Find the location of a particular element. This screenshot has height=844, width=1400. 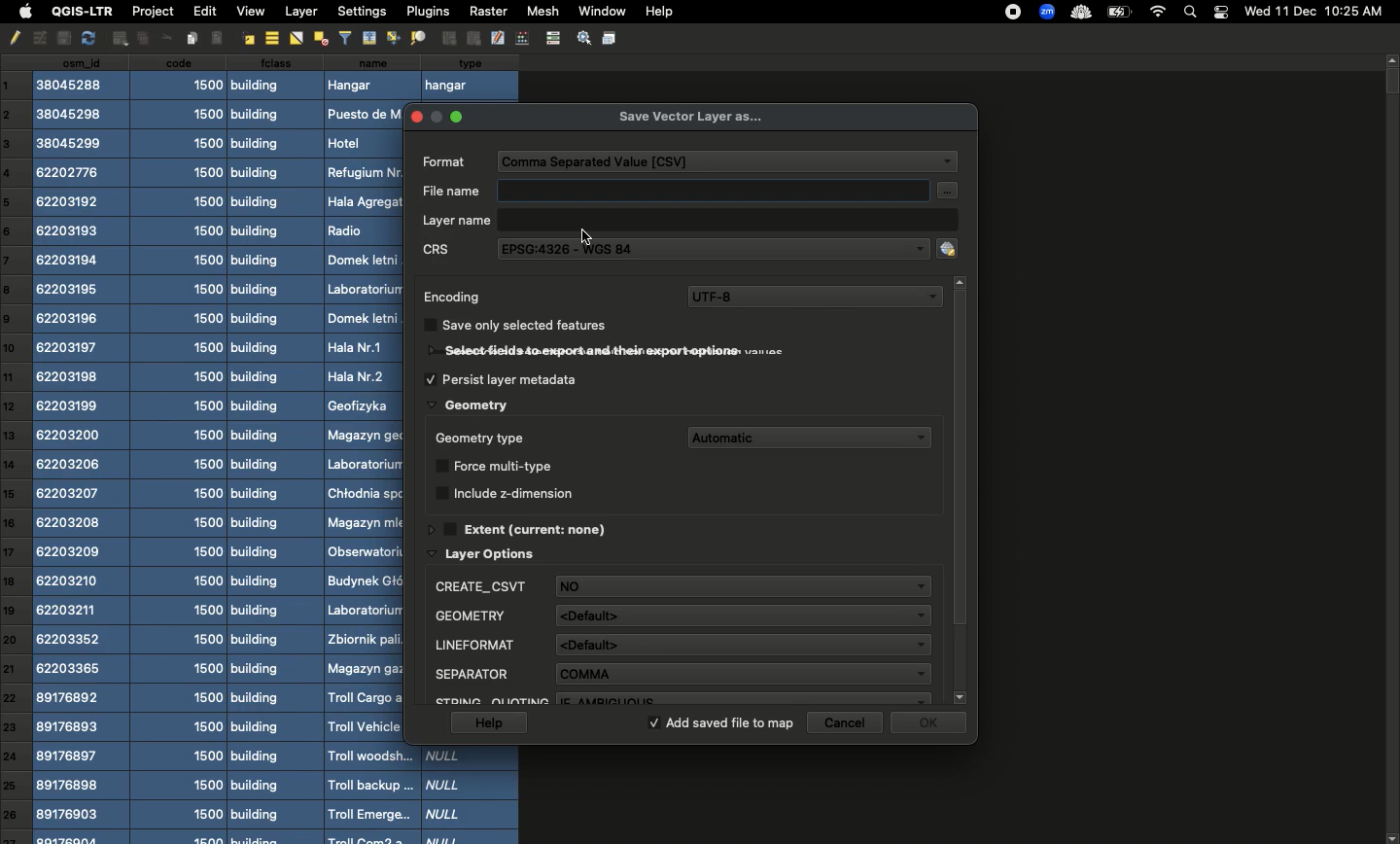

Undo is located at coordinates (38, 39).